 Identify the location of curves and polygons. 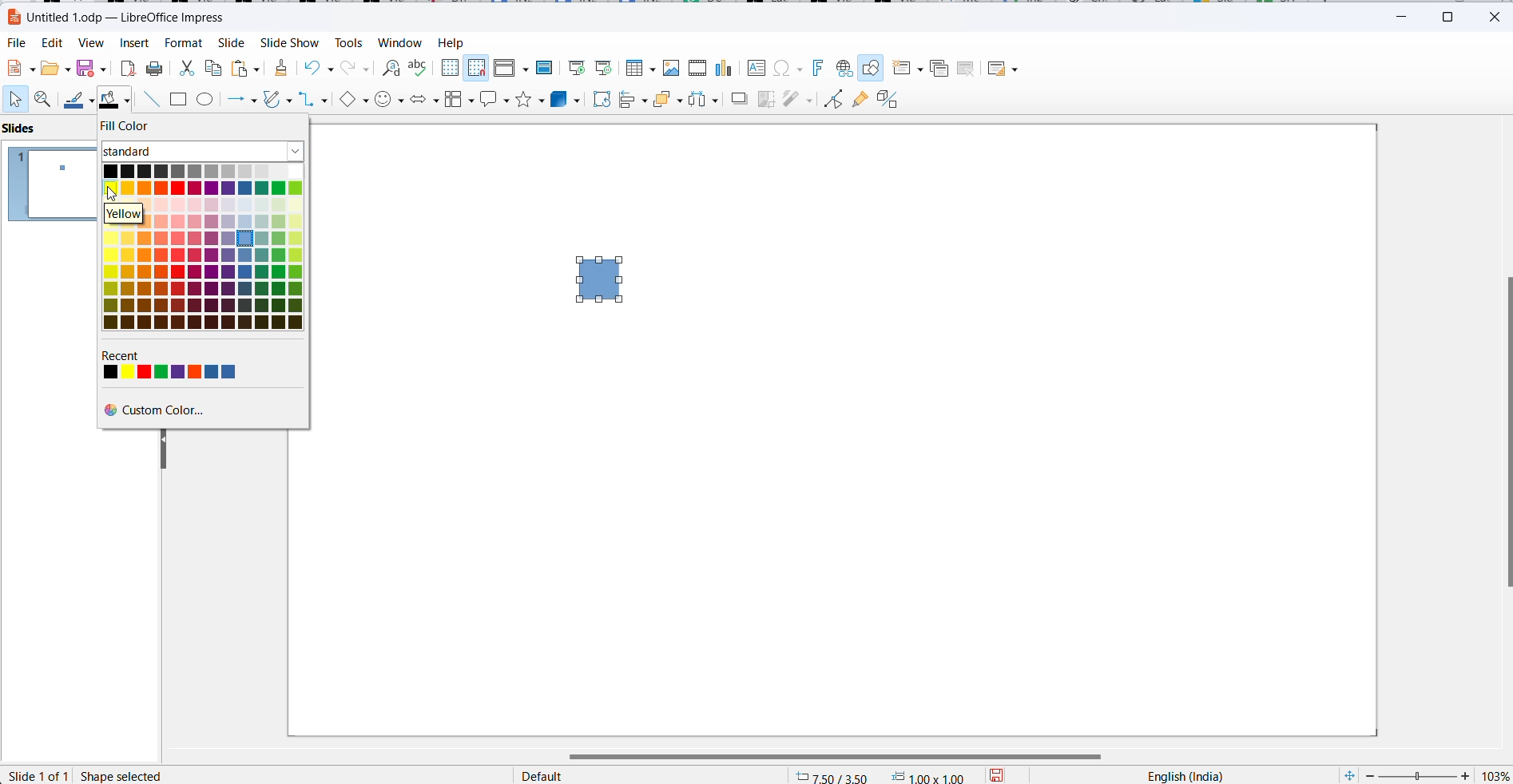
(276, 101).